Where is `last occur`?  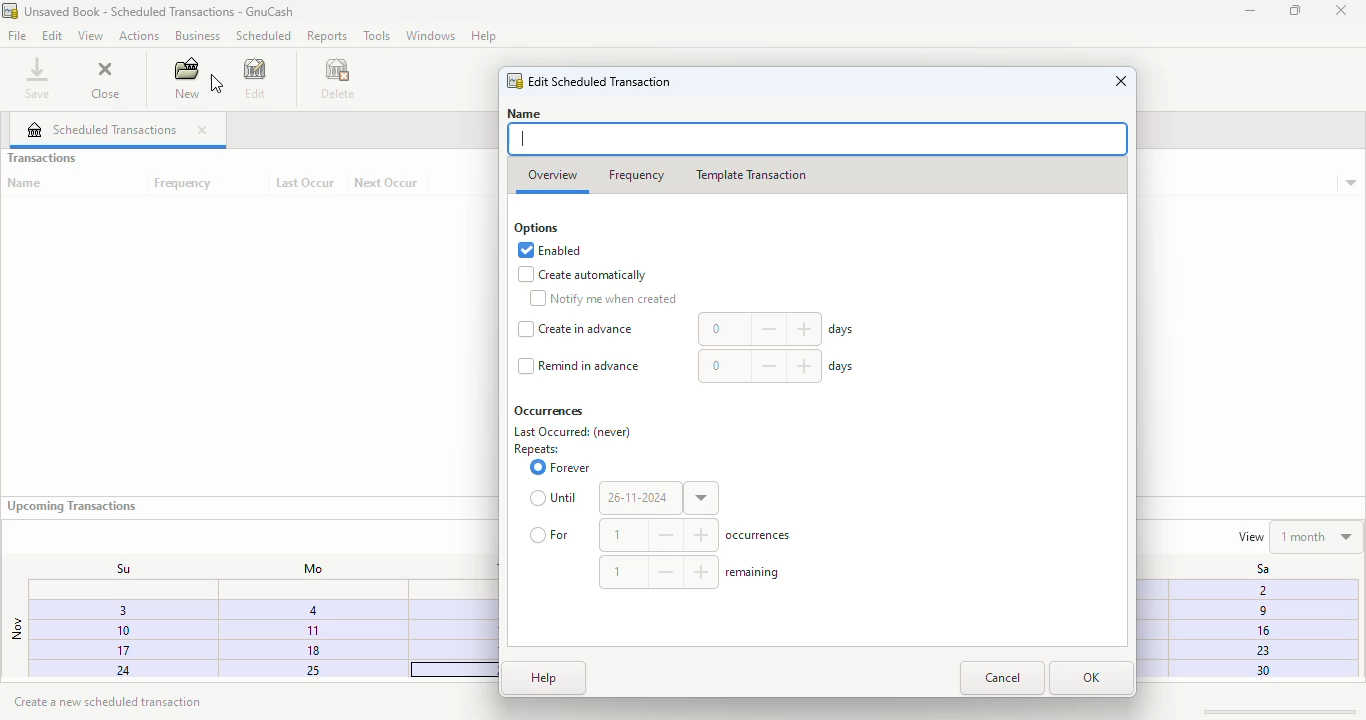 last occur is located at coordinates (305, 183).